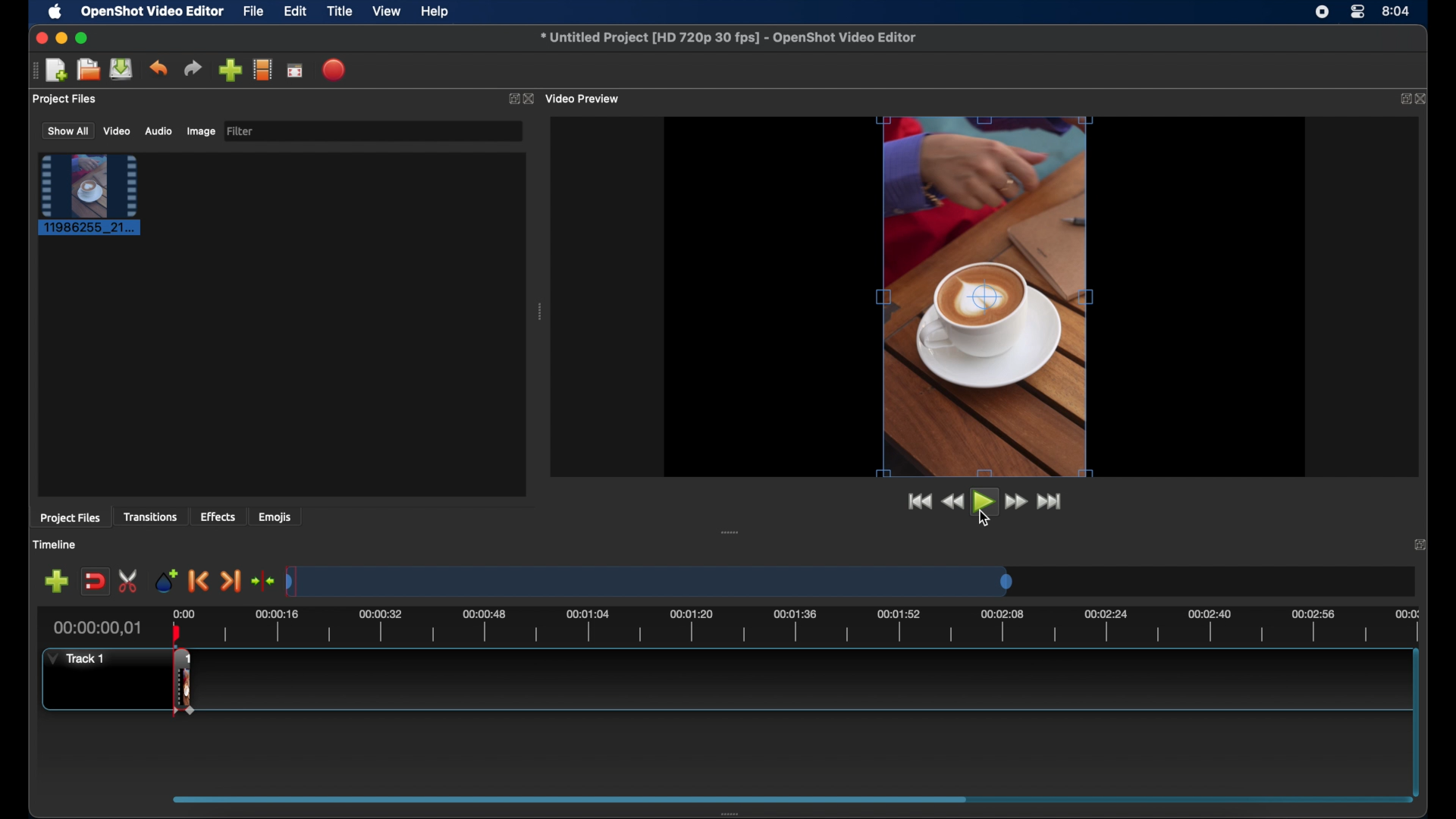 The image size is (1456, 819). I want to click on video preview, so click(986, 297).